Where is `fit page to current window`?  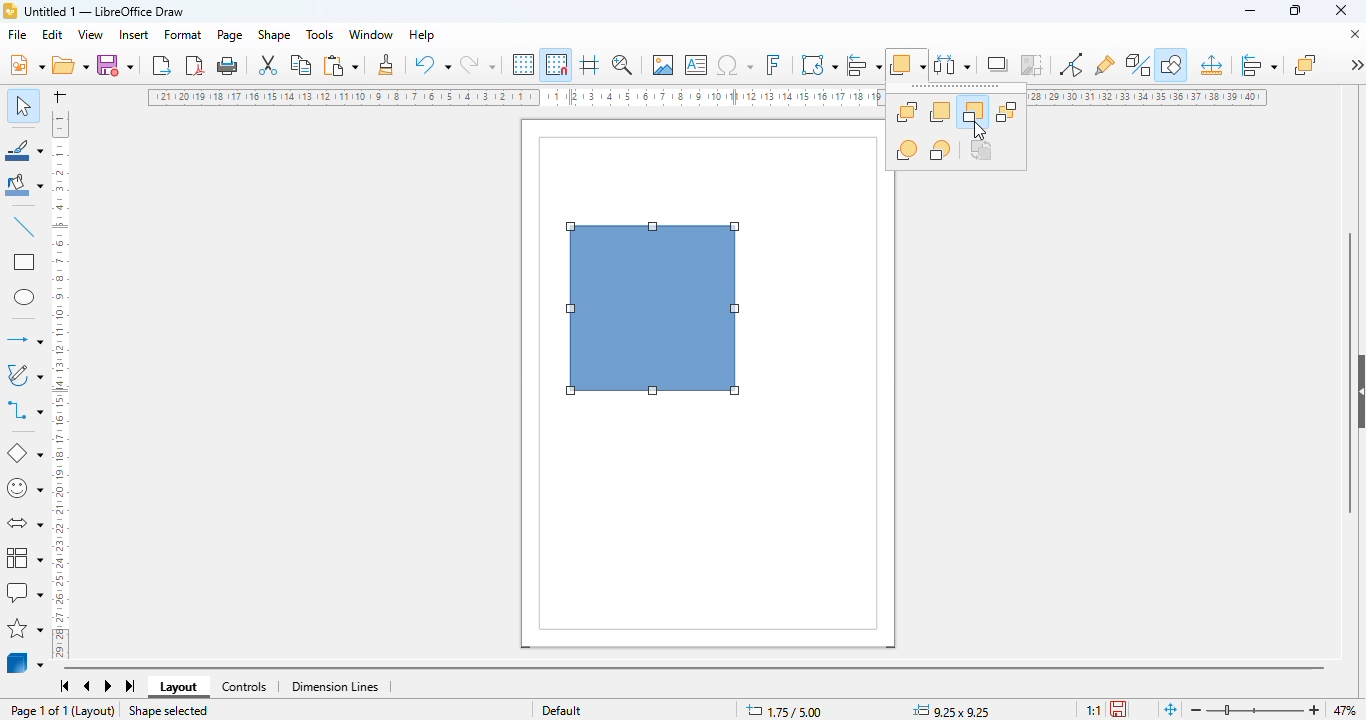
fit page to current window is located at coordinates (1170, 708).